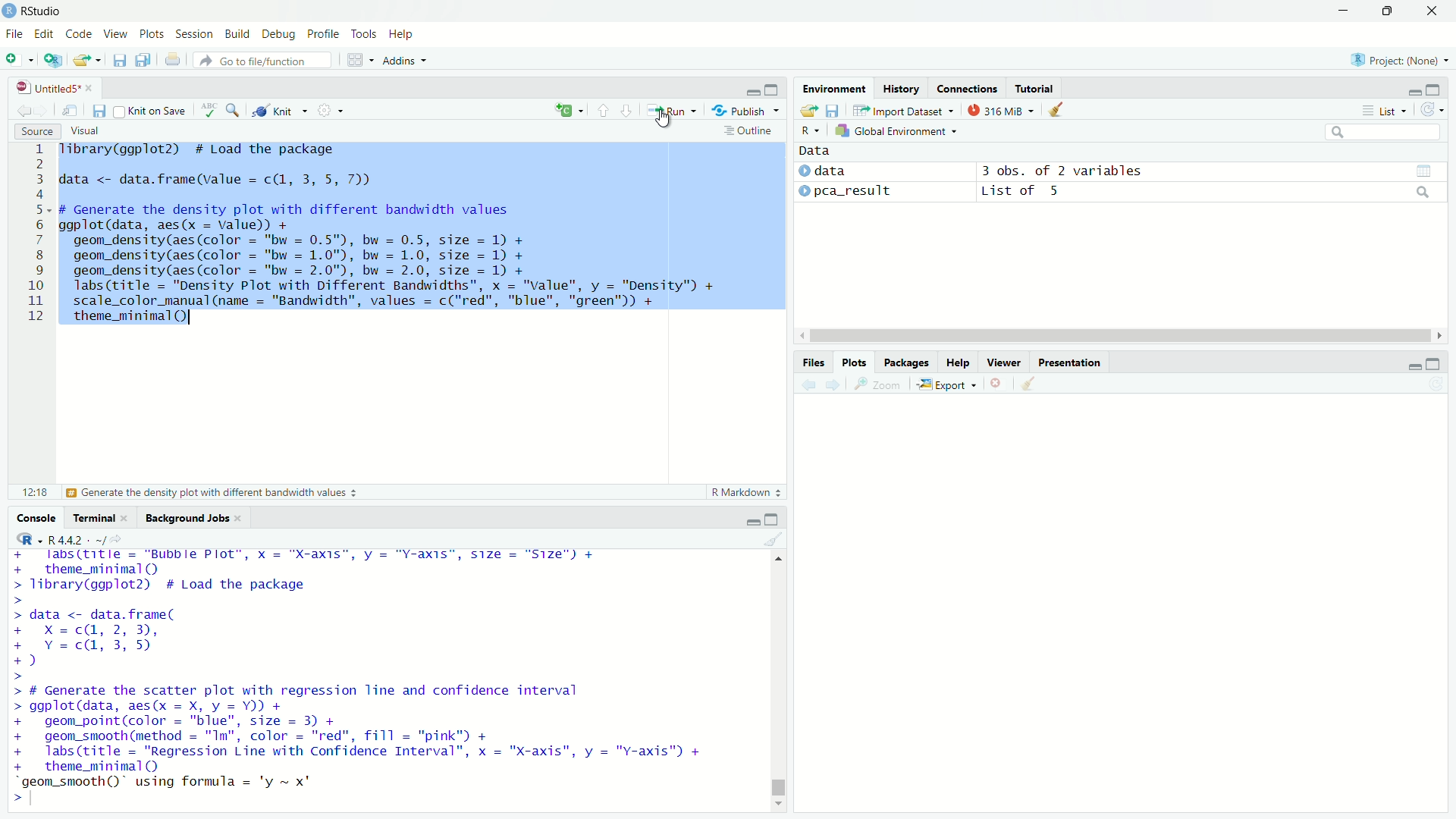 Image resolution: width=1456 pixels, height=819 pixels. Describe the element at coordinates (279, 111) in the screenshot. I see `Knit` at that location.